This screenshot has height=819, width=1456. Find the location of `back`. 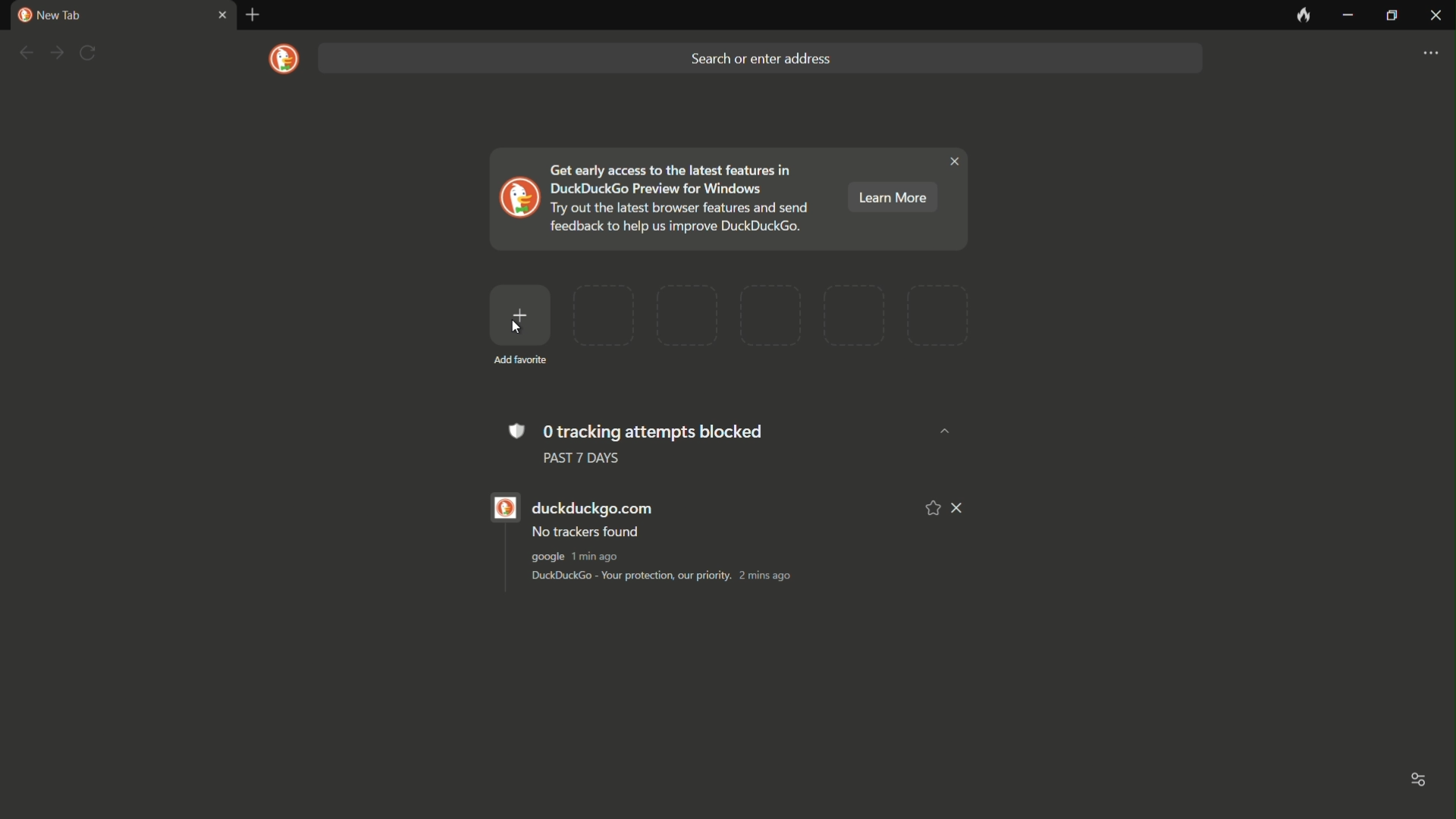

back is located at coordinates (25, 53).